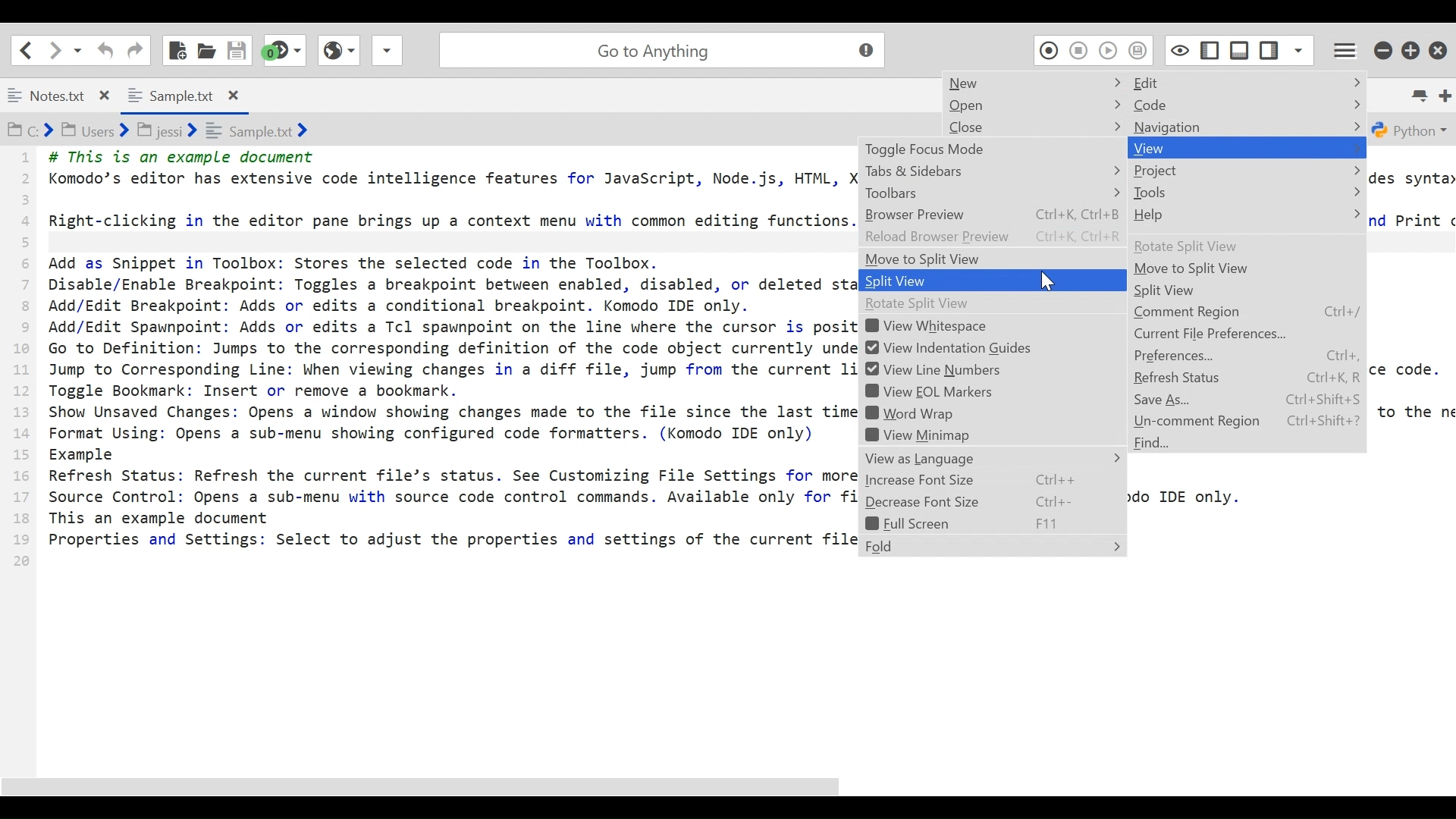 The image size is (1456, 819). I want to click on Sample.txt, so click(181, 93).